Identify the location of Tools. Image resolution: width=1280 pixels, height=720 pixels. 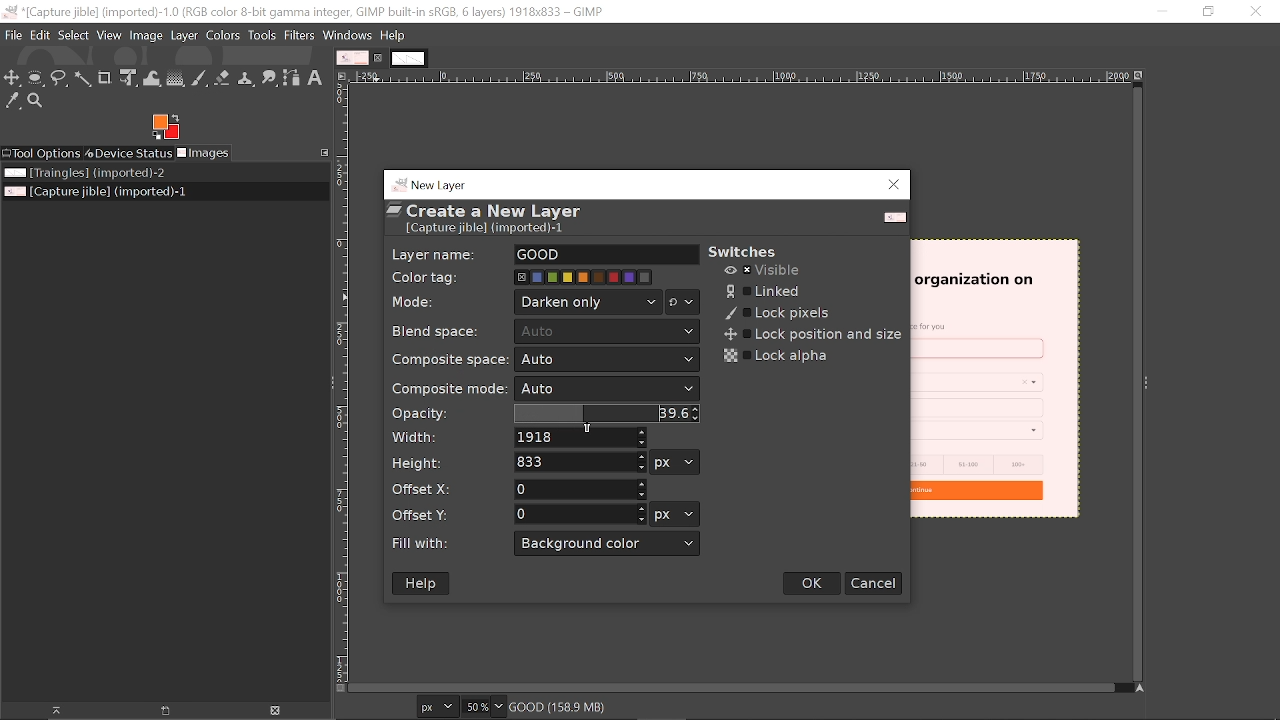
(261, 35).